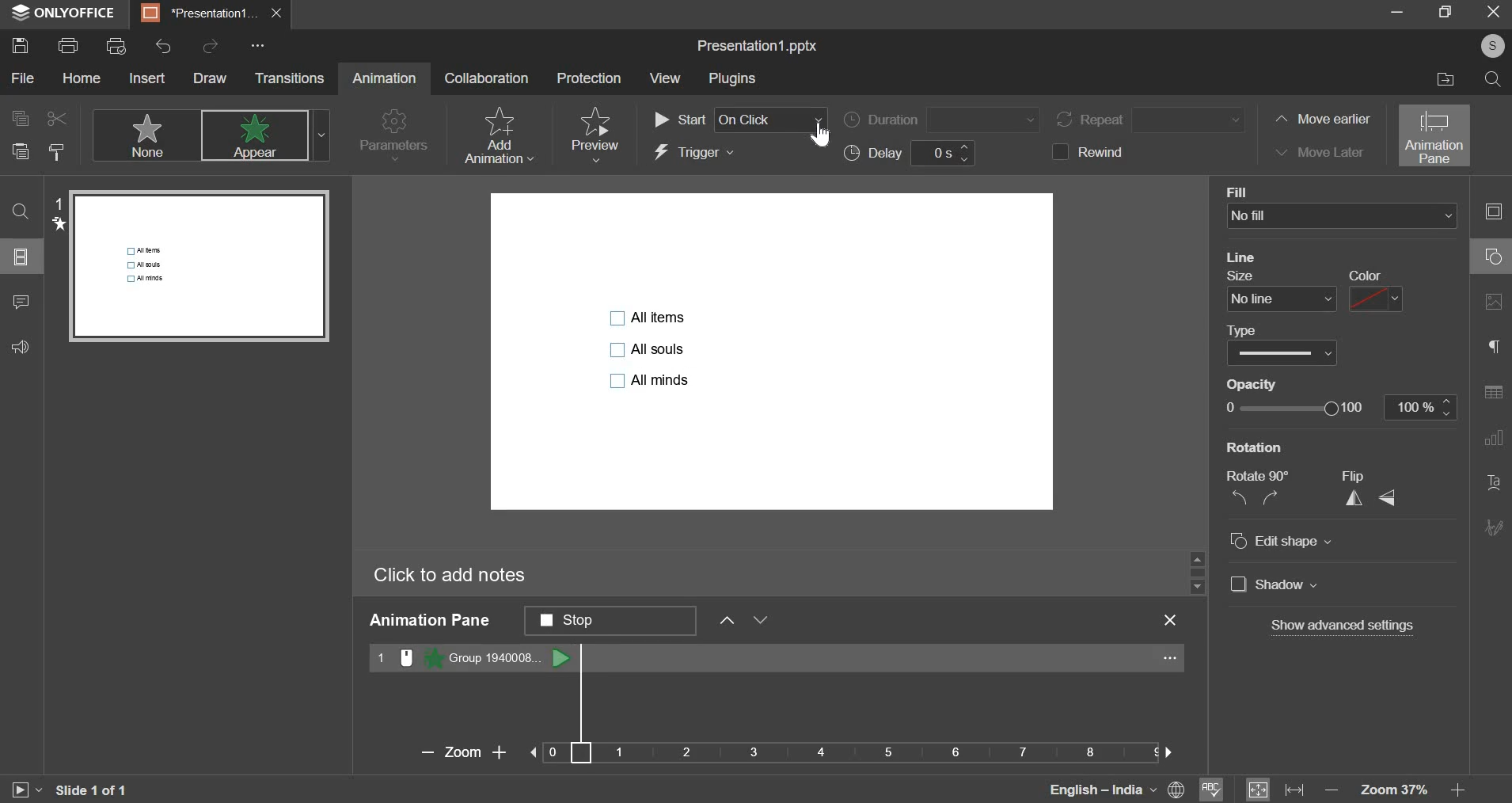  What do you see at coordinates (395, 135) in the screenshot?
I see `parameters` at bounding box center [395, 135].